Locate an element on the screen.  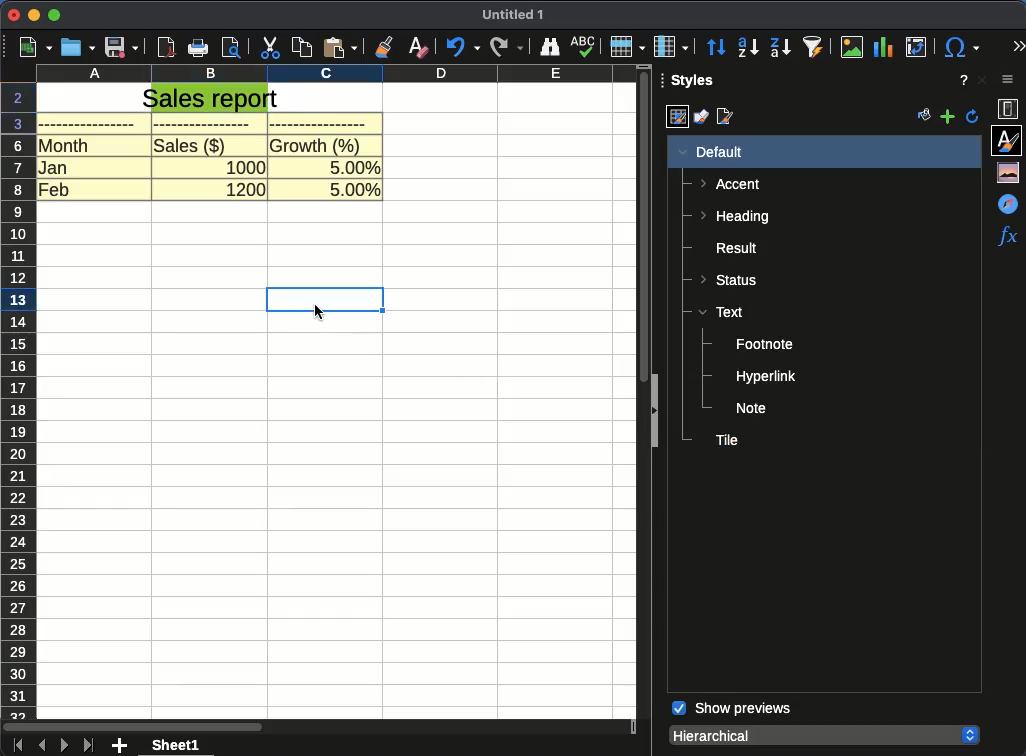
spell check is located at coordinates (582, 46).